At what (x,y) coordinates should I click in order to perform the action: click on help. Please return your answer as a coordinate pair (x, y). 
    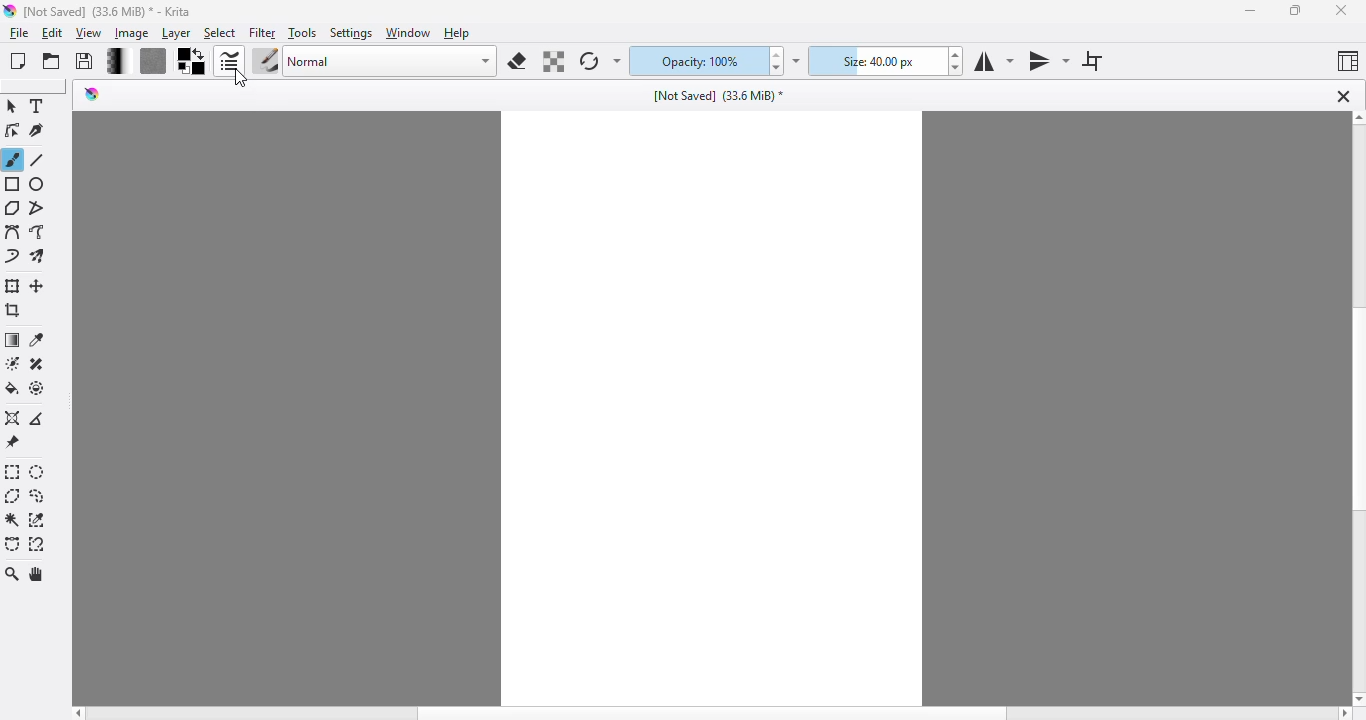
    Looking at the image, I should click on (458, 33).